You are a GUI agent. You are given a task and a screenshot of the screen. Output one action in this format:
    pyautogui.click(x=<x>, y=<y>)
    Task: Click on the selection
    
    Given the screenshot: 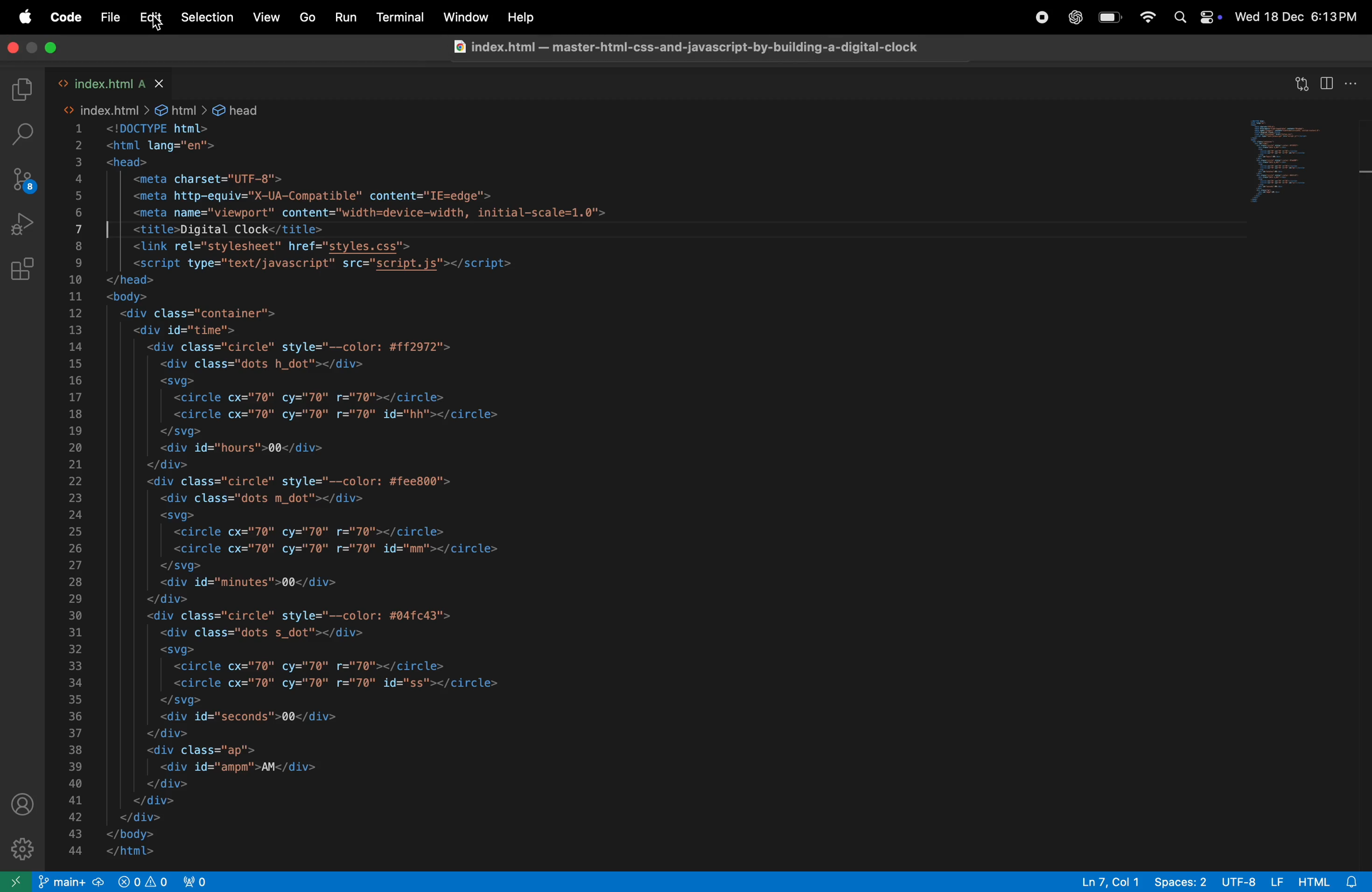 What is the action you would take?
    pyautogui.click(x=203, y=17)
    